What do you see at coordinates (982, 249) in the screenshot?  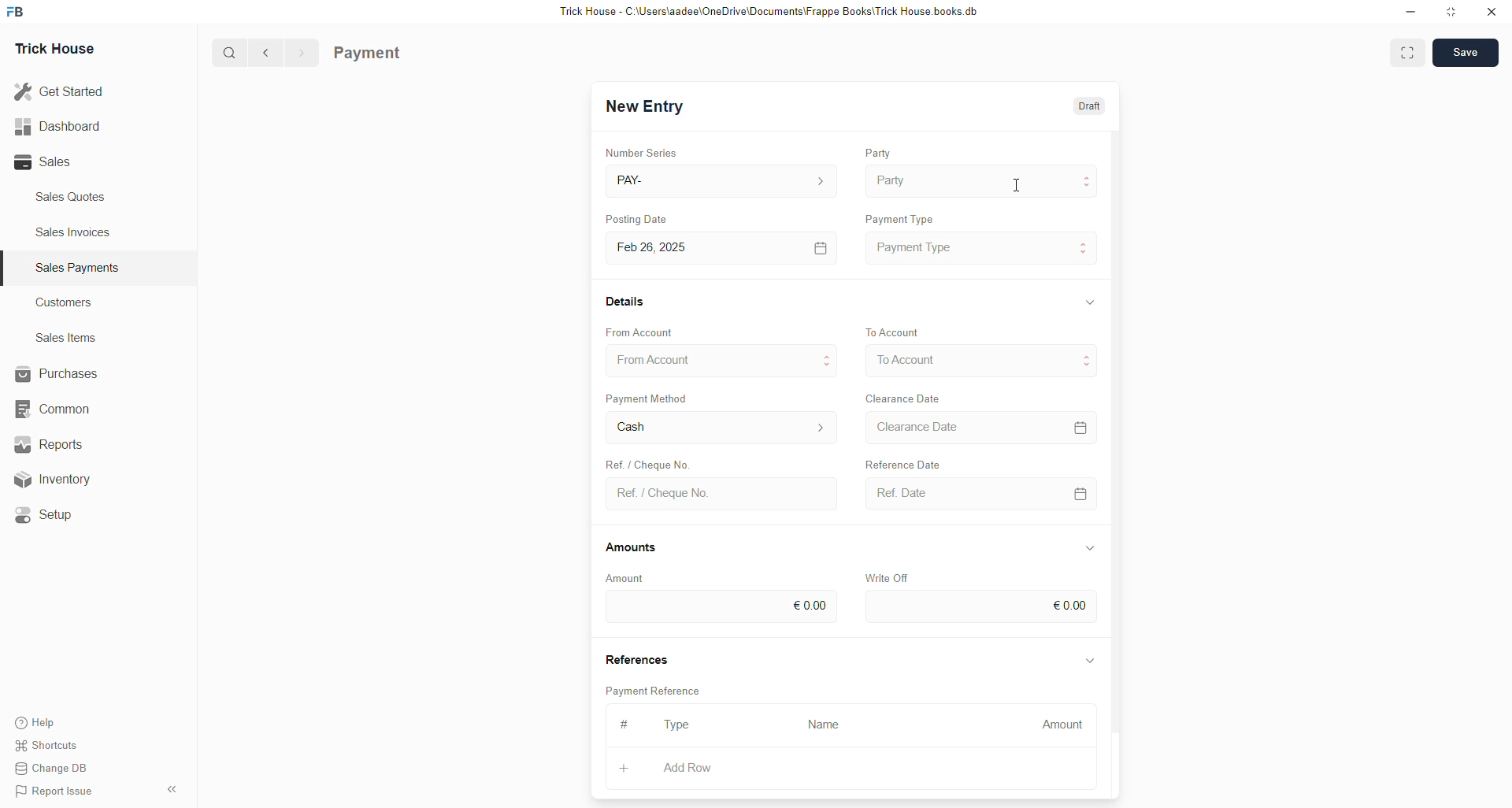 I see `Payment Type` at bounding box center [982, 249].